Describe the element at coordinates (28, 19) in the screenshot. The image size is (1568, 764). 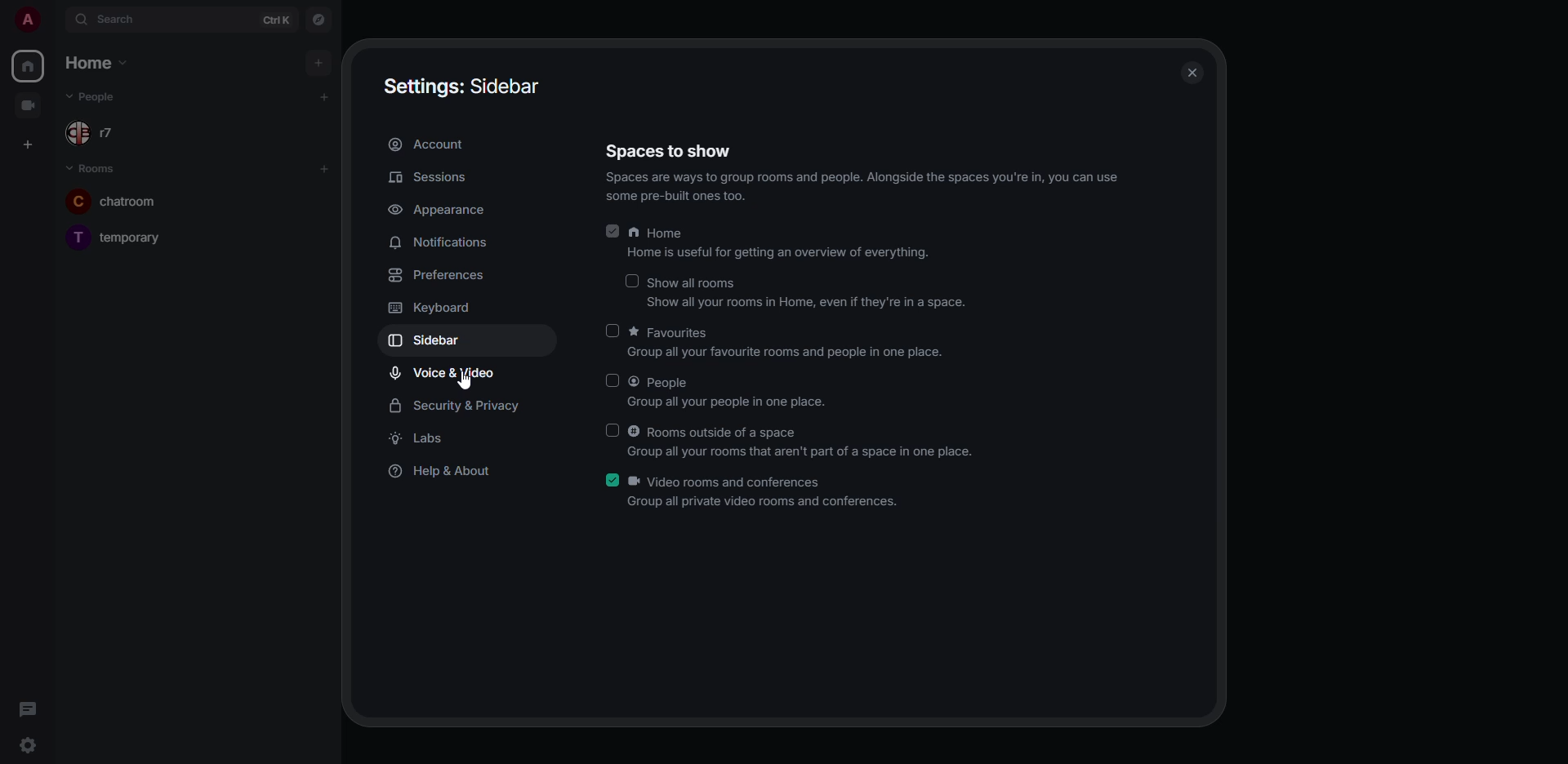
I see `profile` at that location.